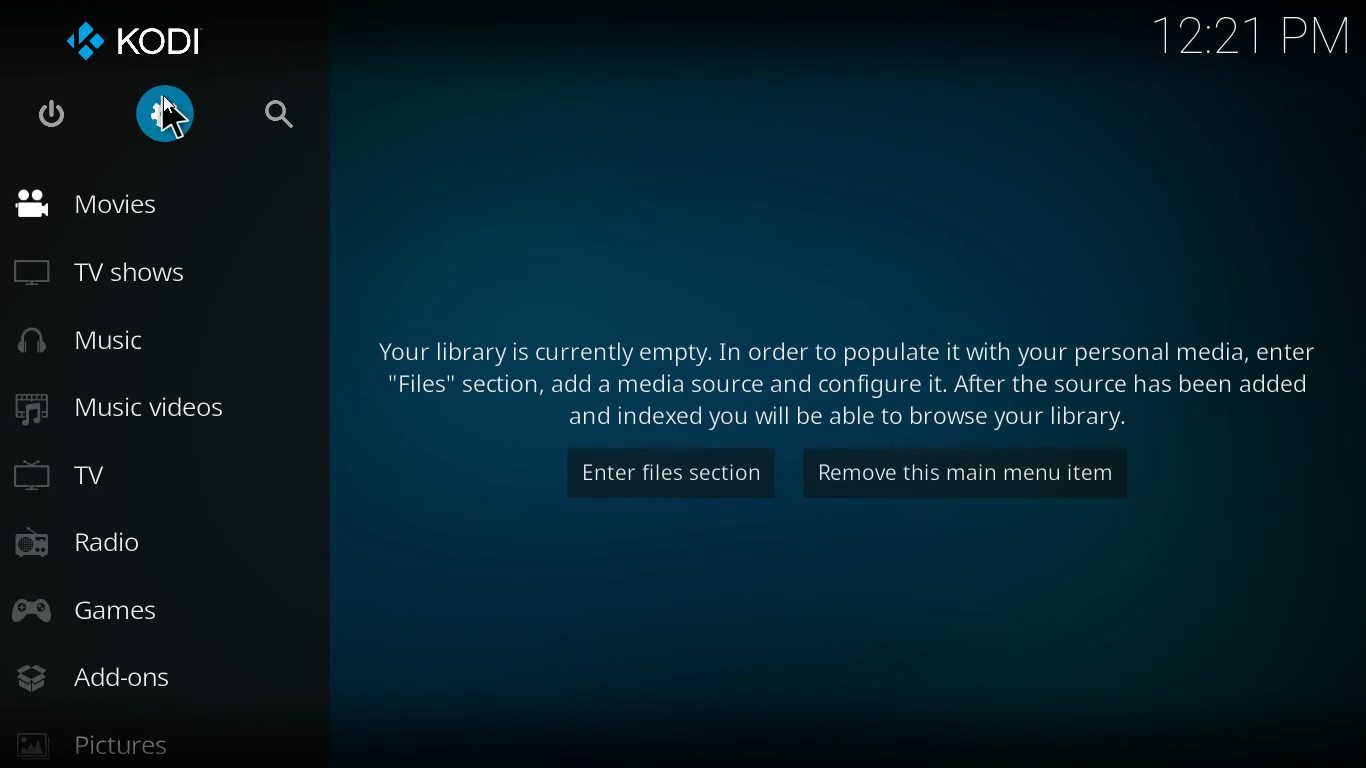  What do you see at coordinates (149, 276) in the screenshot?
I see `tv shows` at bounding box center [149, 276].